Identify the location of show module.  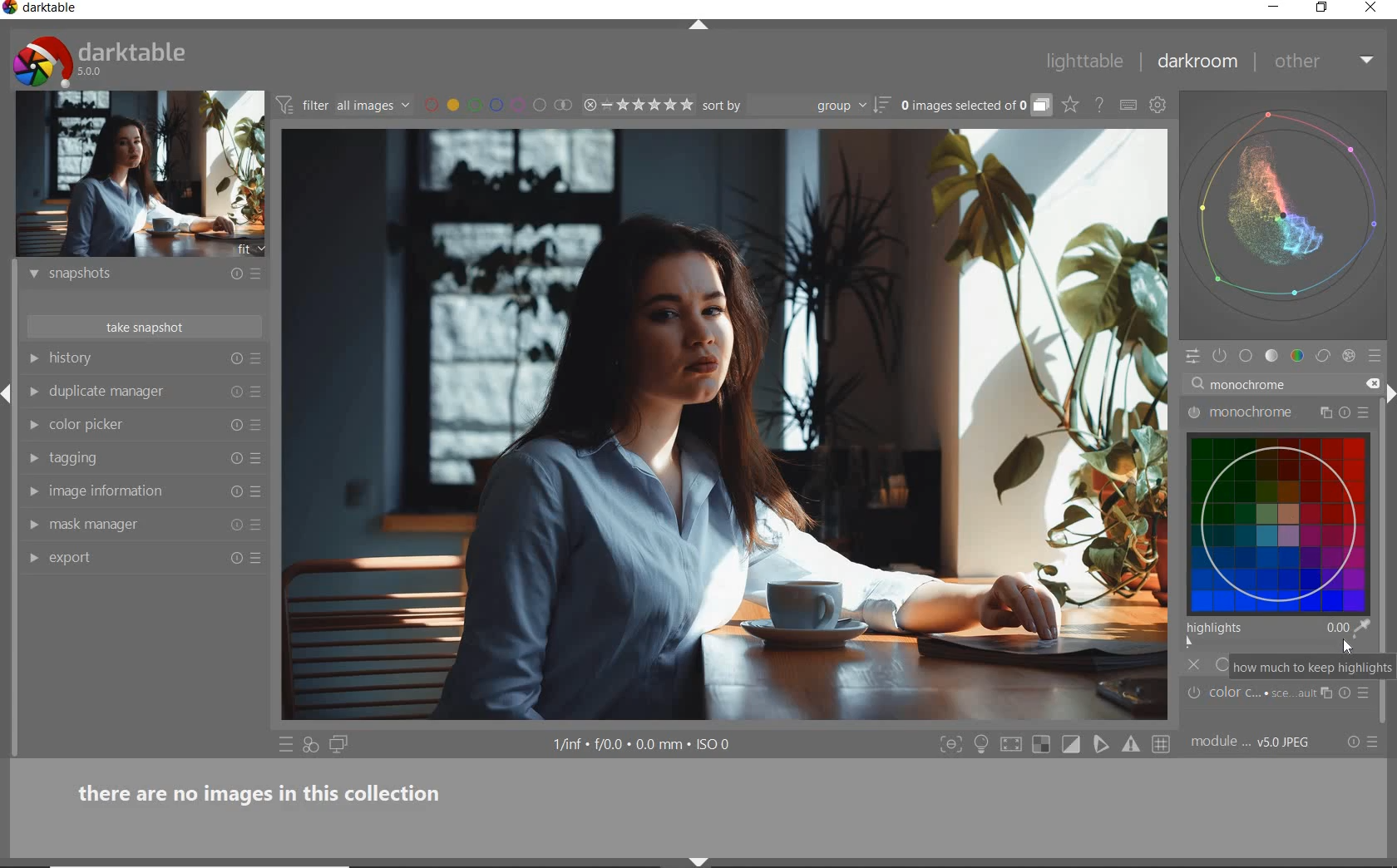
(32, 274).